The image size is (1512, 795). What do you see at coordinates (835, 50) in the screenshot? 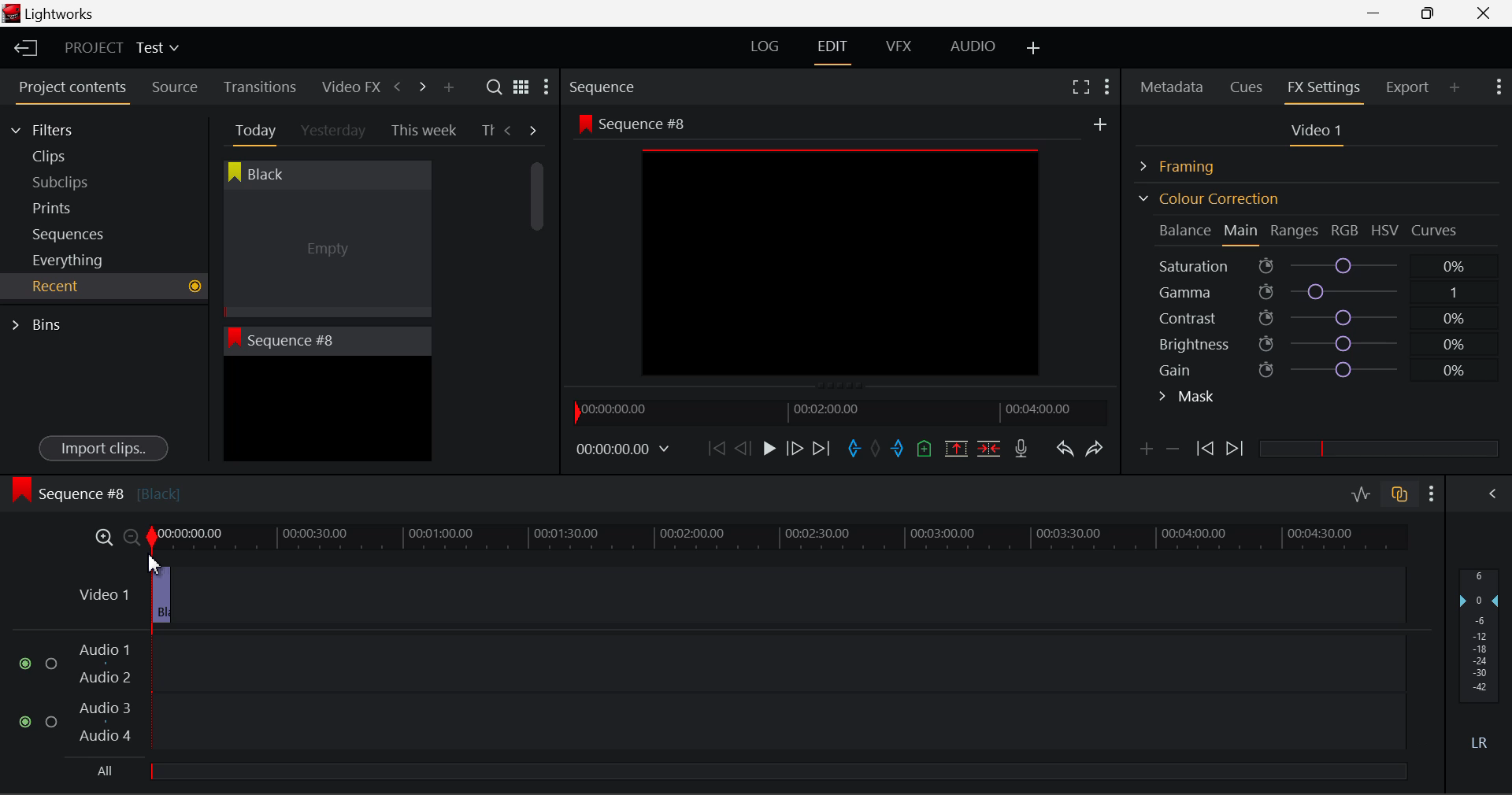
I see `EDIT Layout` at bounding box center [835, 50].